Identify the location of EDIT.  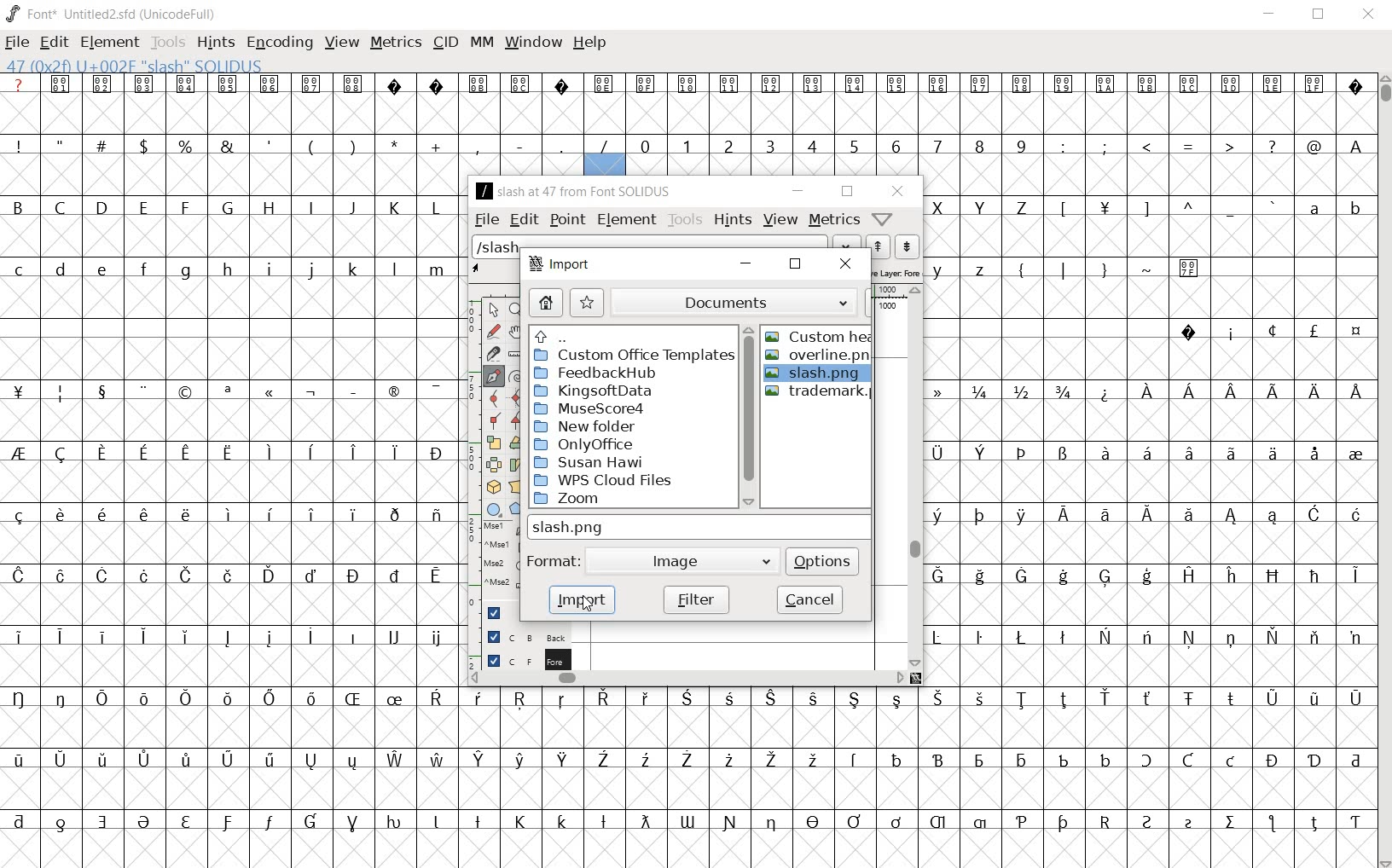
(55, 43).